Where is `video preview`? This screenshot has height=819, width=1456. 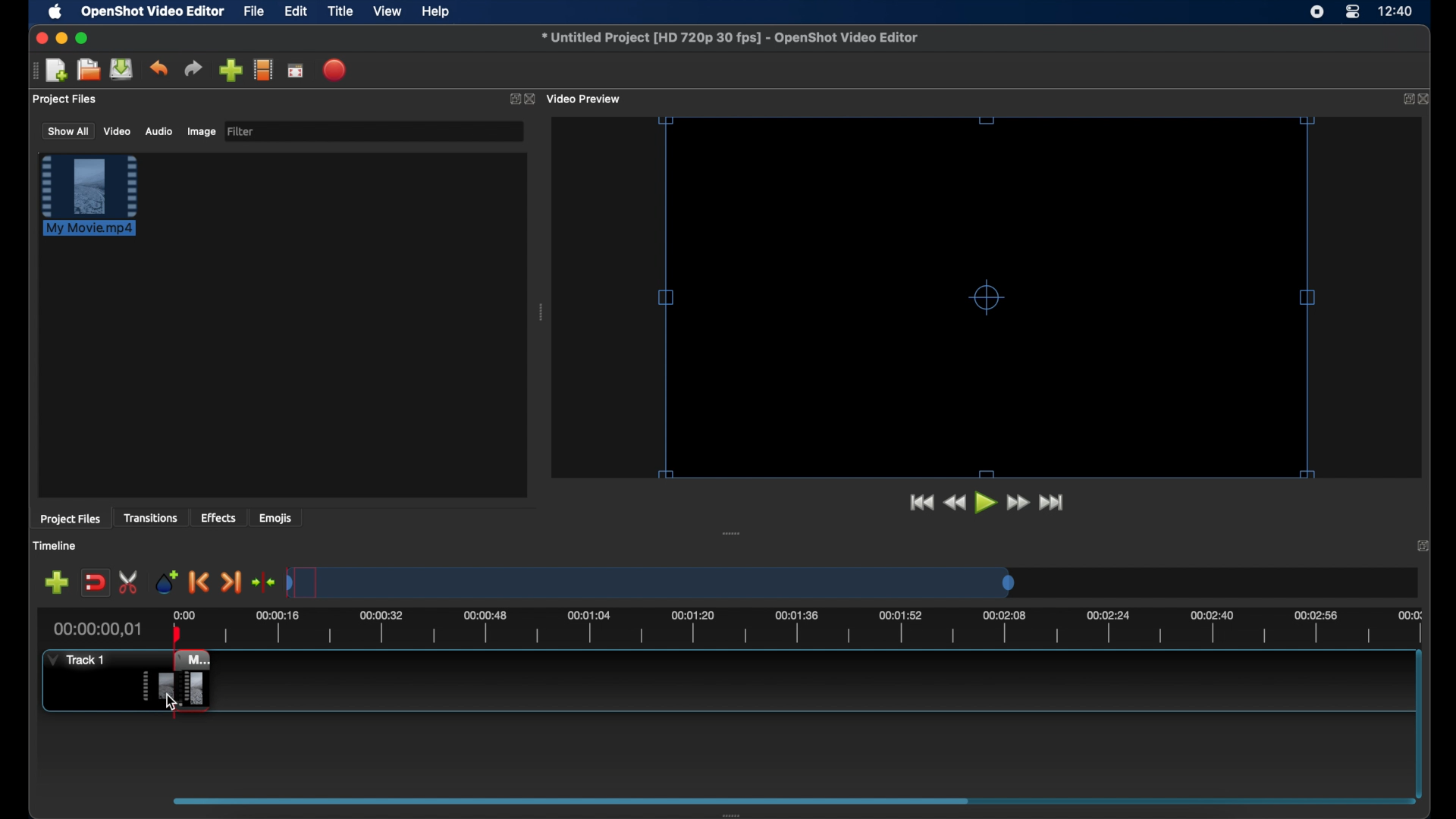
video preview is located at coordinates (585, 99).